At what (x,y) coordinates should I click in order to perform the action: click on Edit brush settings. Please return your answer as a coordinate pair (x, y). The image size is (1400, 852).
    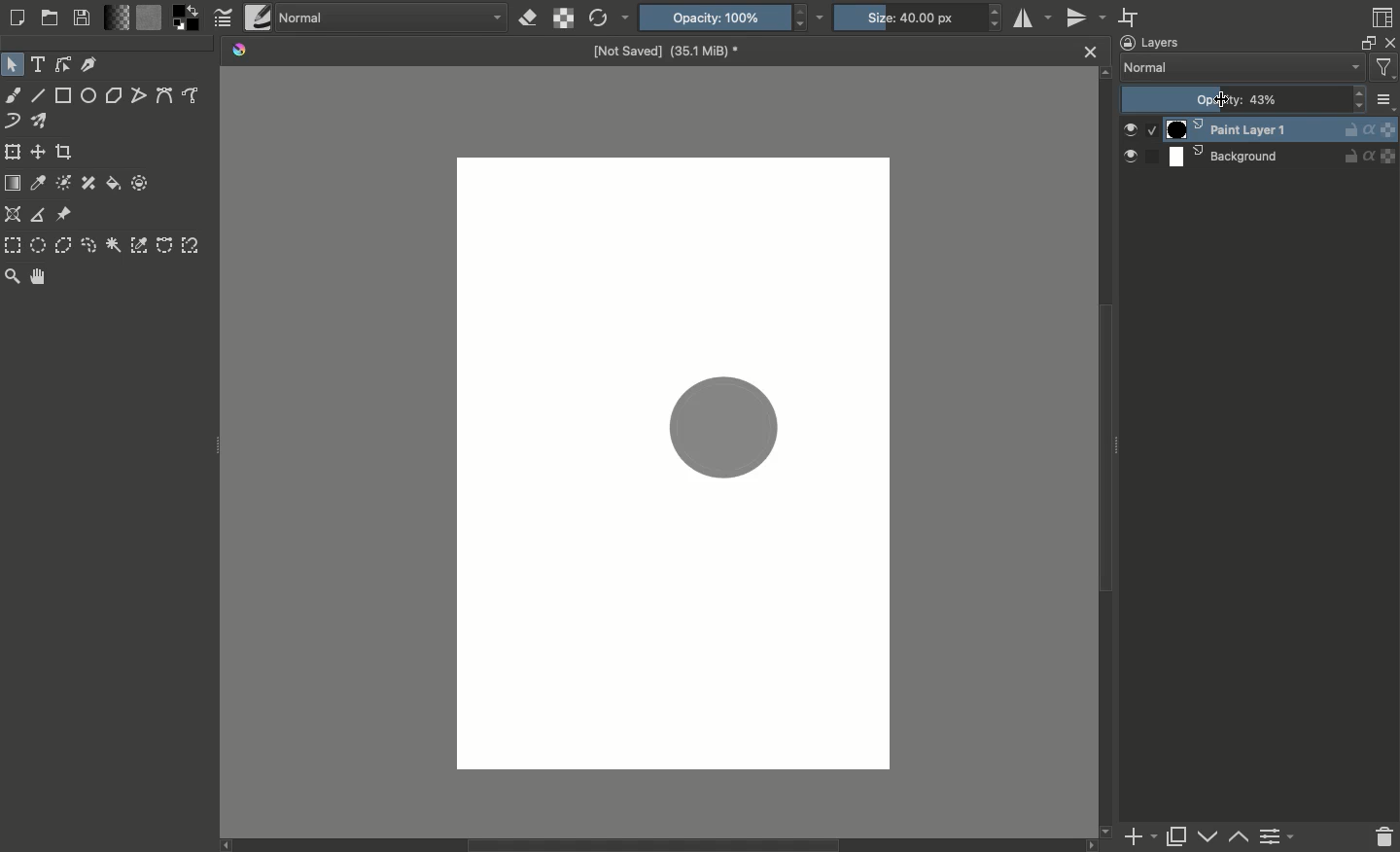
    Looking at the image, I should click on (224, 18).